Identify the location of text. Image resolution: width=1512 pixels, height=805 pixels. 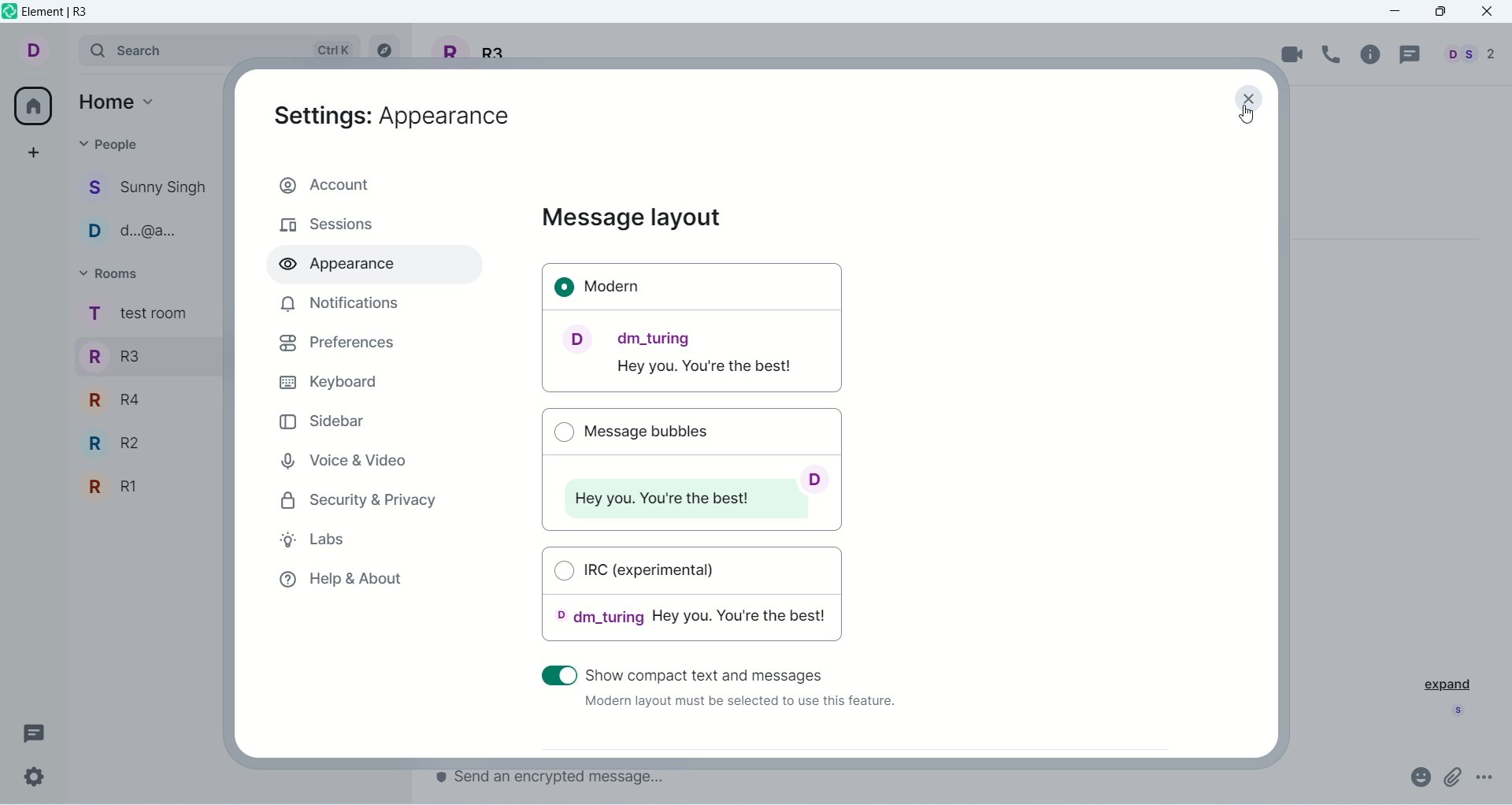
(738, 704).